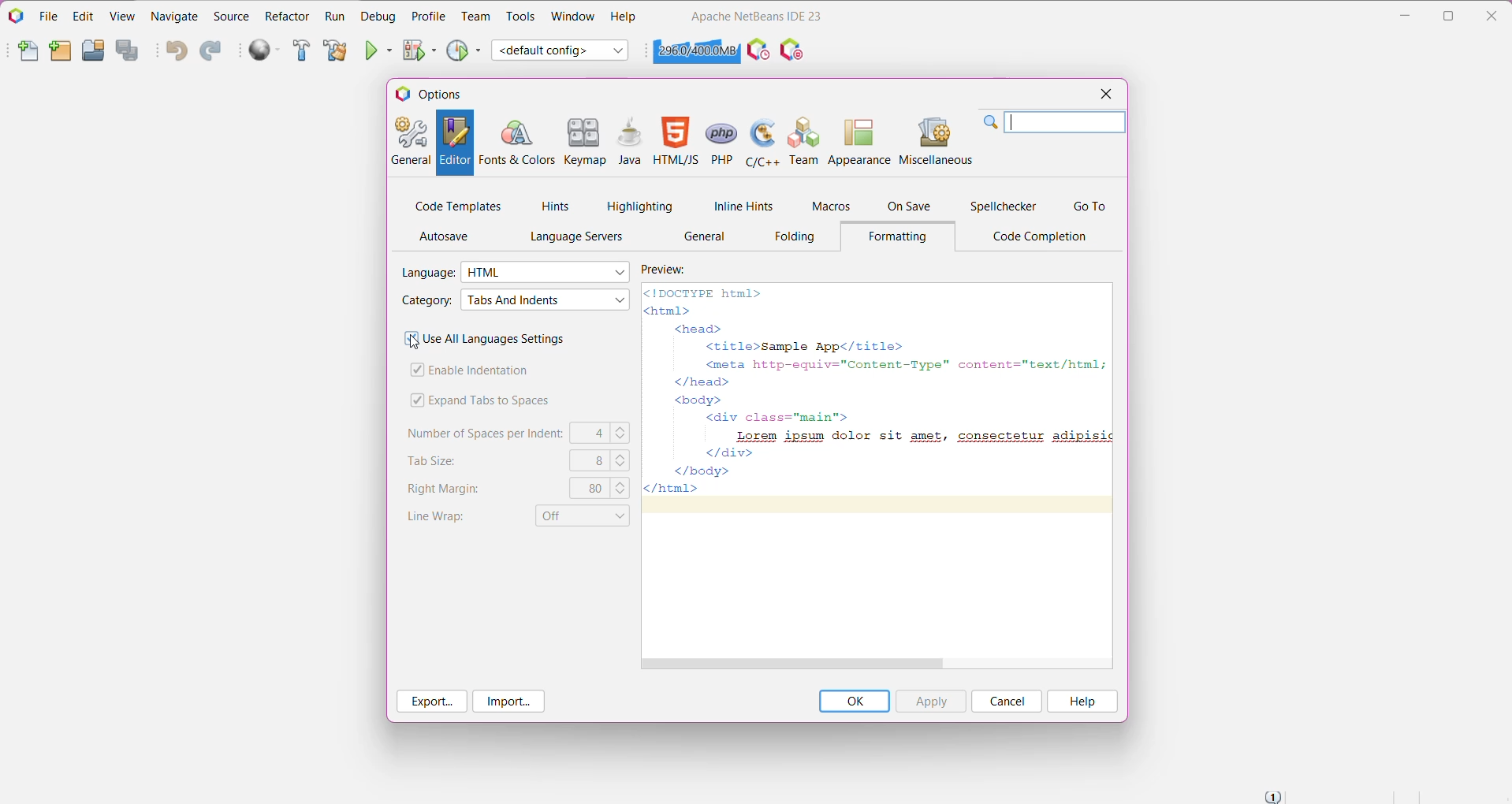 This screenshot has height=804, width=1512. I want to click on Java, so click(632, 143).